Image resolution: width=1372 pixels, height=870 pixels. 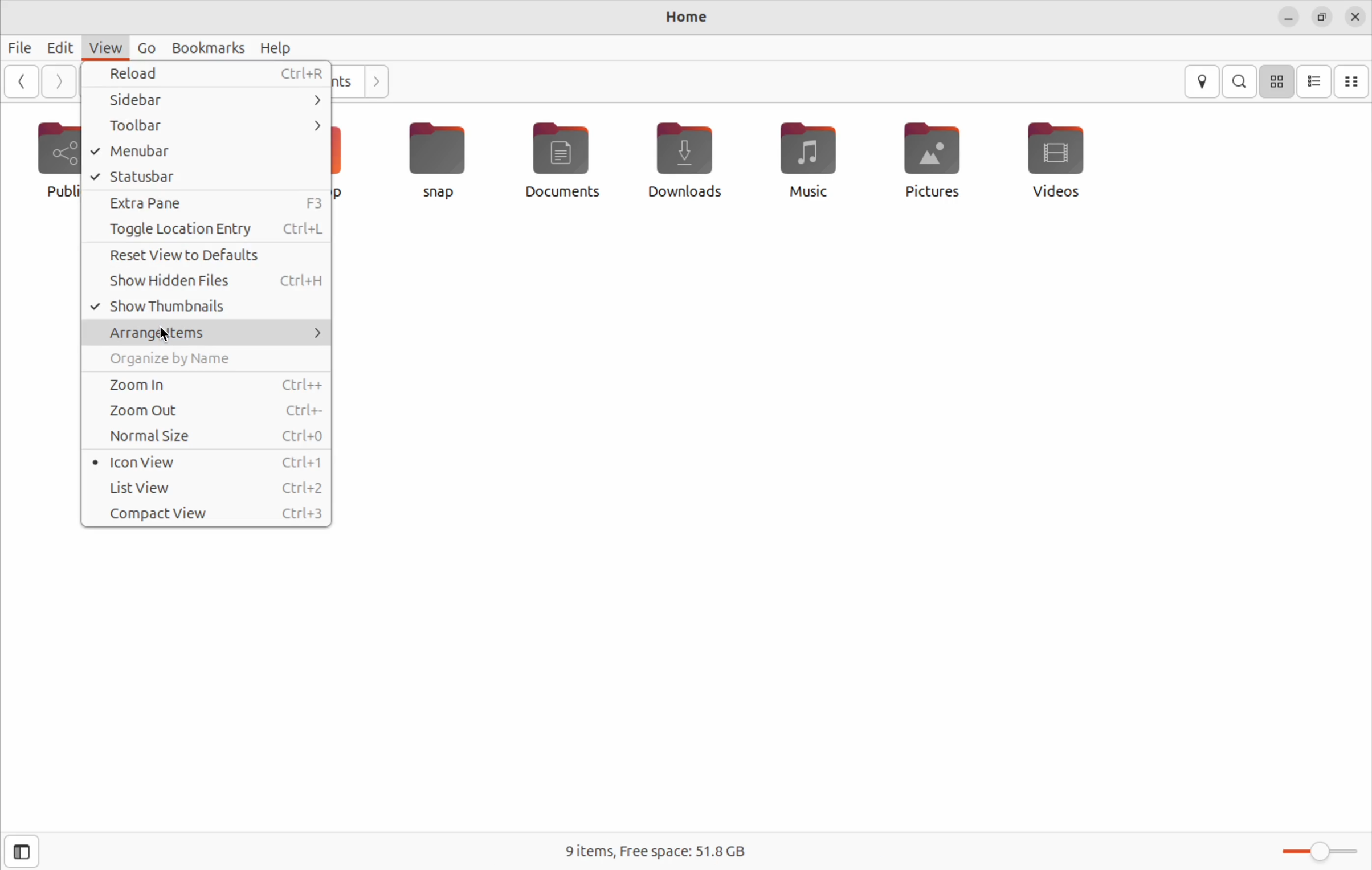 I want to click on forward, so click(x=59, y=81).